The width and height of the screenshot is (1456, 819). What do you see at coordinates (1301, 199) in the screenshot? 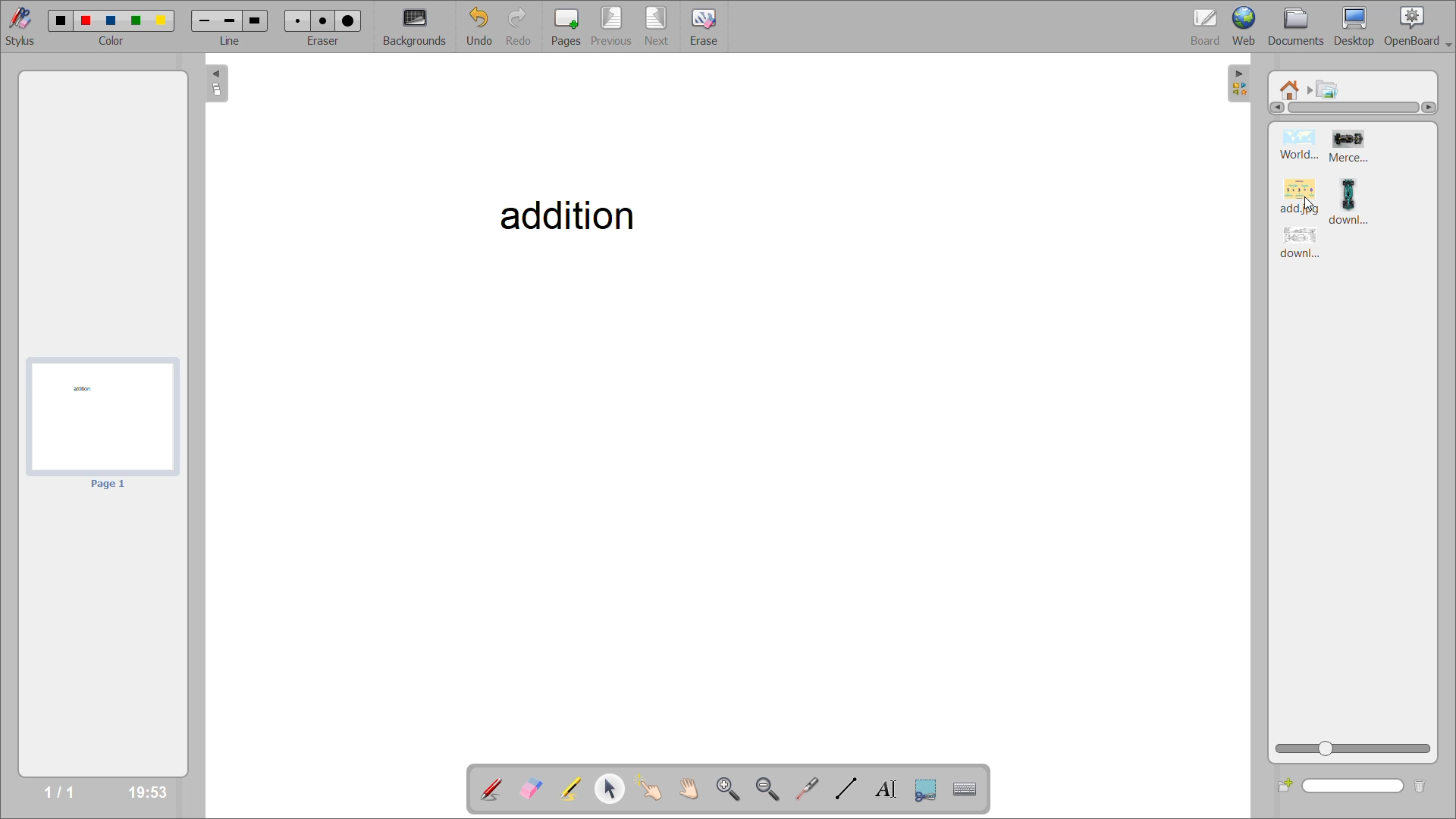
I see `image 3` at bounding box center [1301, 199].